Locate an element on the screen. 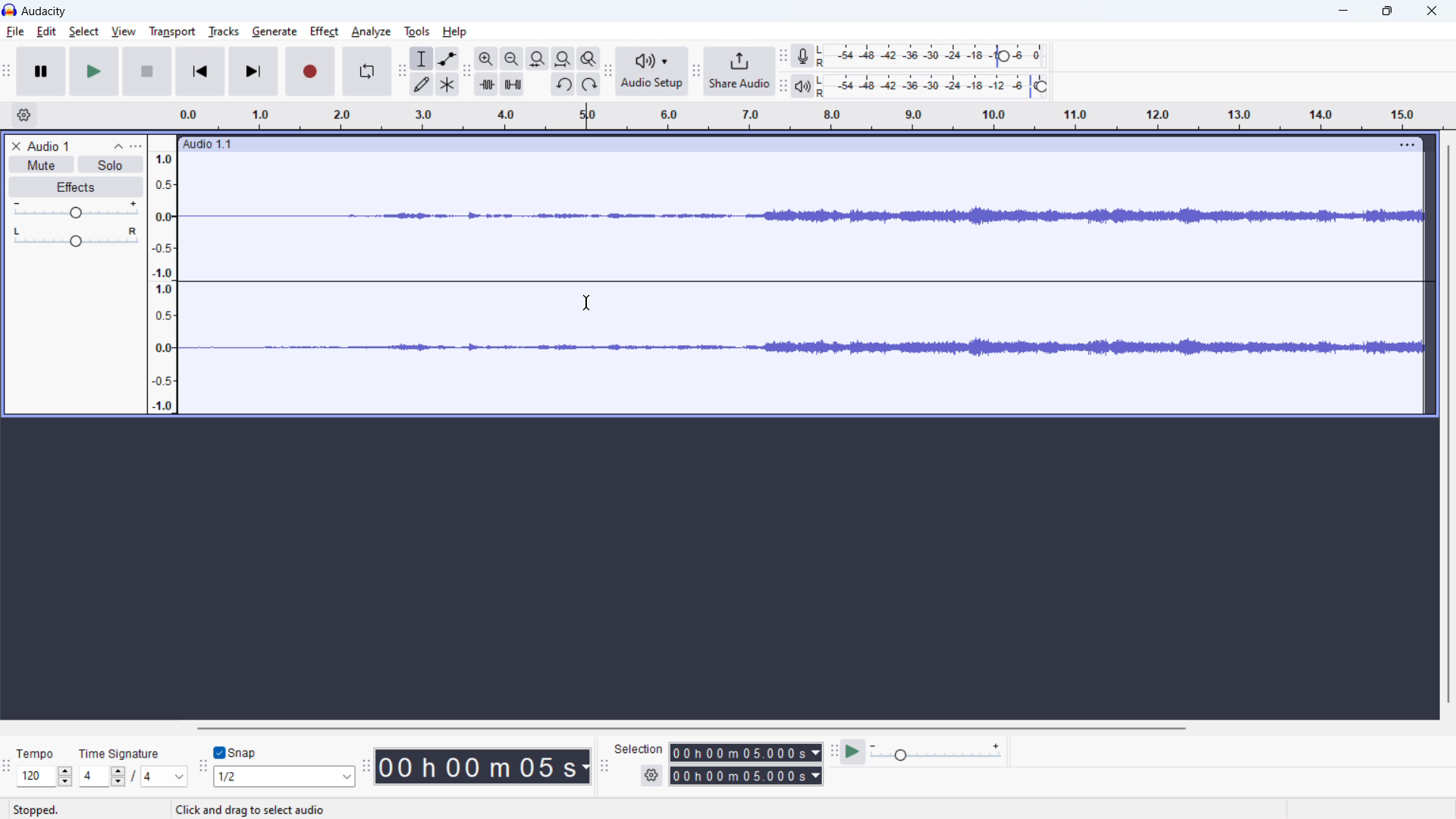  playback speed is located at coordinates (938, 753).